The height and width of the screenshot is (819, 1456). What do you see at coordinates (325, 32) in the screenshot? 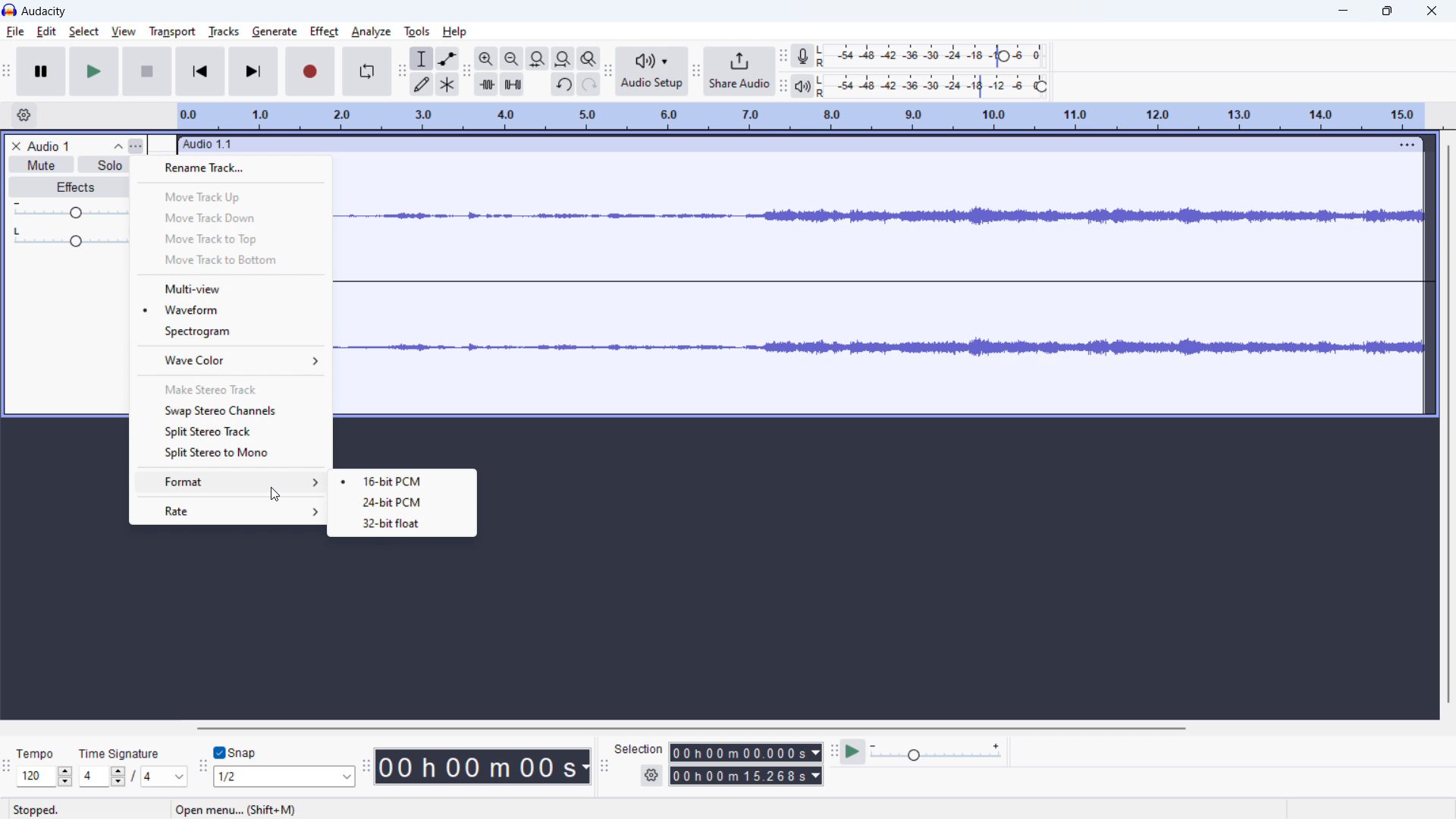
I see `effect` at bounding box center [325, 32].